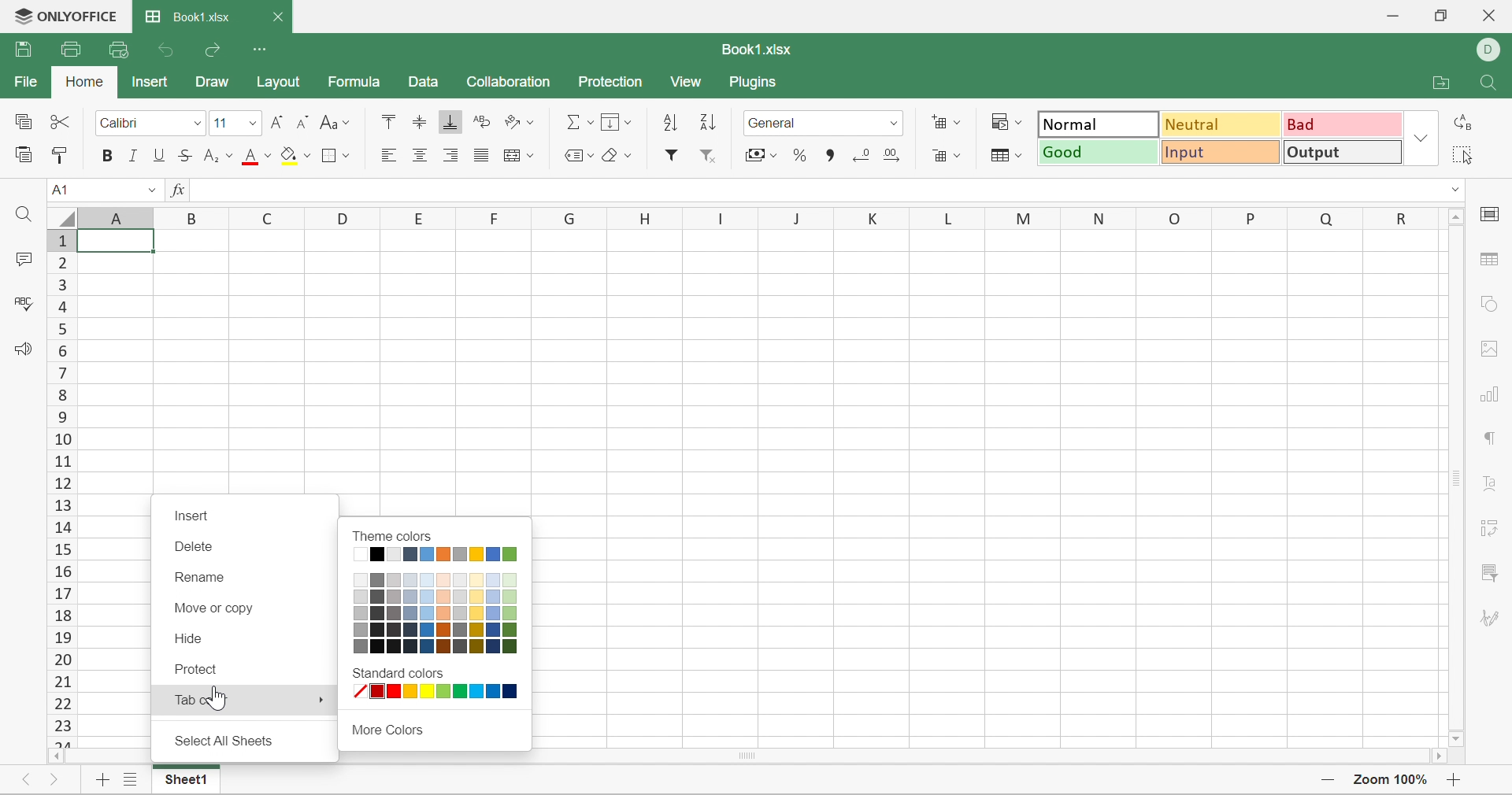 The width and height of the screenshot is (1512, 795). Describe the element at coordinates (832, 156) in the screenshot. I see `Comma style` at that location.